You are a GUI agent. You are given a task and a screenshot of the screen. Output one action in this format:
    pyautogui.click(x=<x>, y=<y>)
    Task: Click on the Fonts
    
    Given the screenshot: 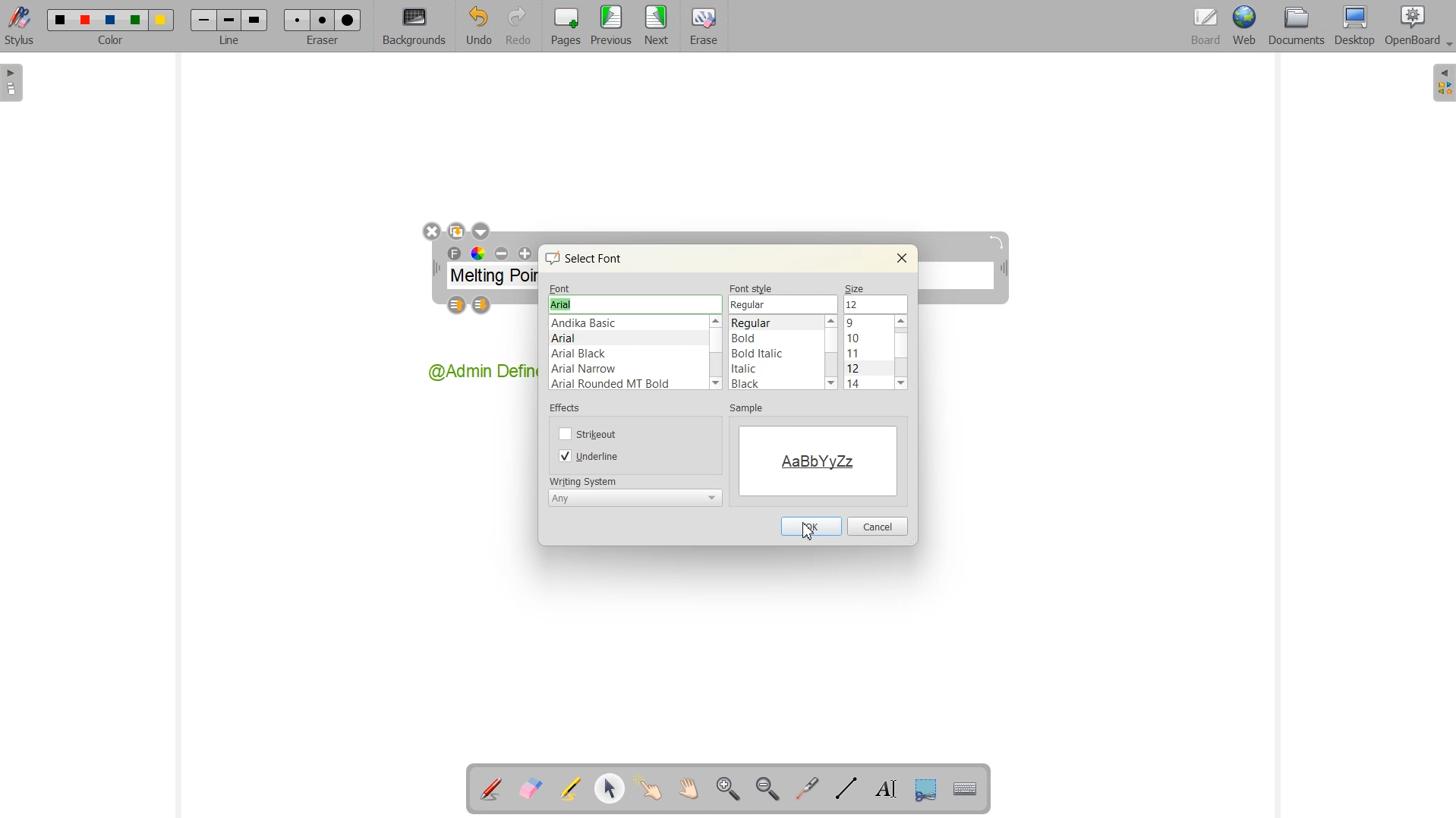 What is the action you would take?
    pyautogui.click(x=628, y=354)
    